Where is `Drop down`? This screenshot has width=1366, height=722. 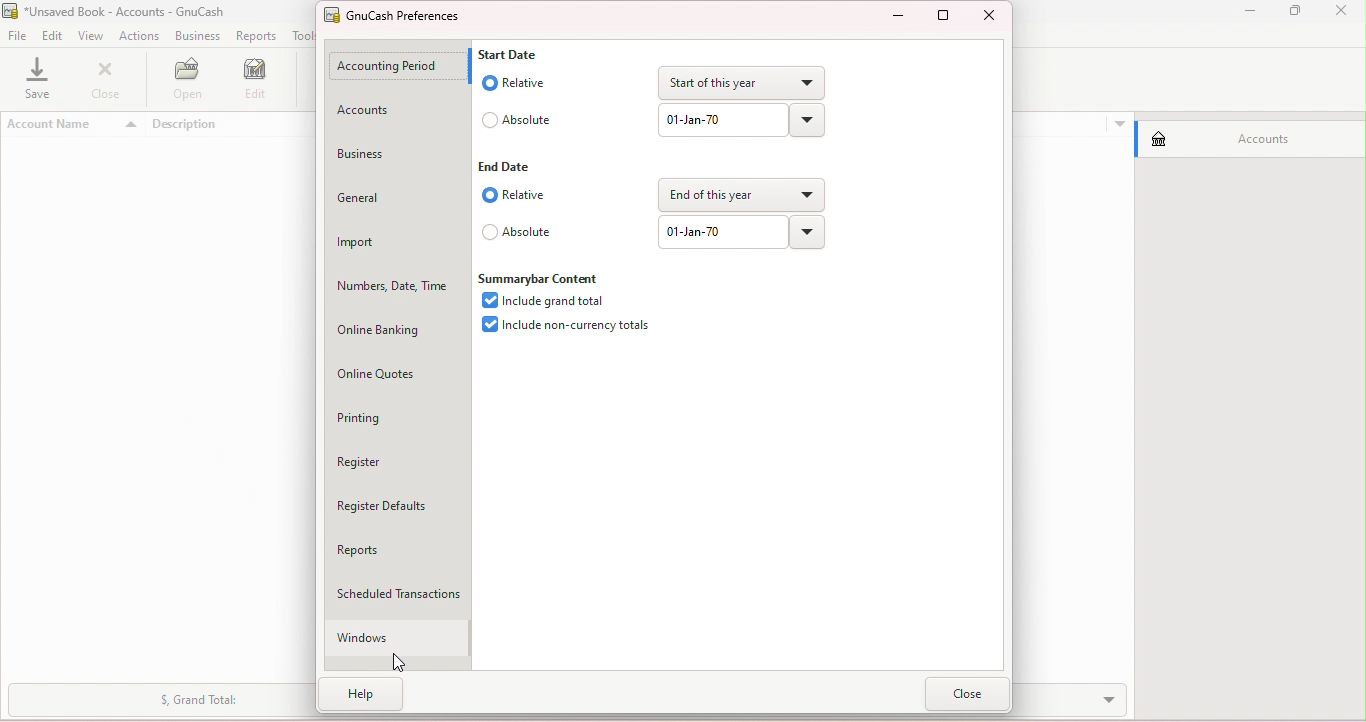 Drop down is located at coordinates (738, 83).